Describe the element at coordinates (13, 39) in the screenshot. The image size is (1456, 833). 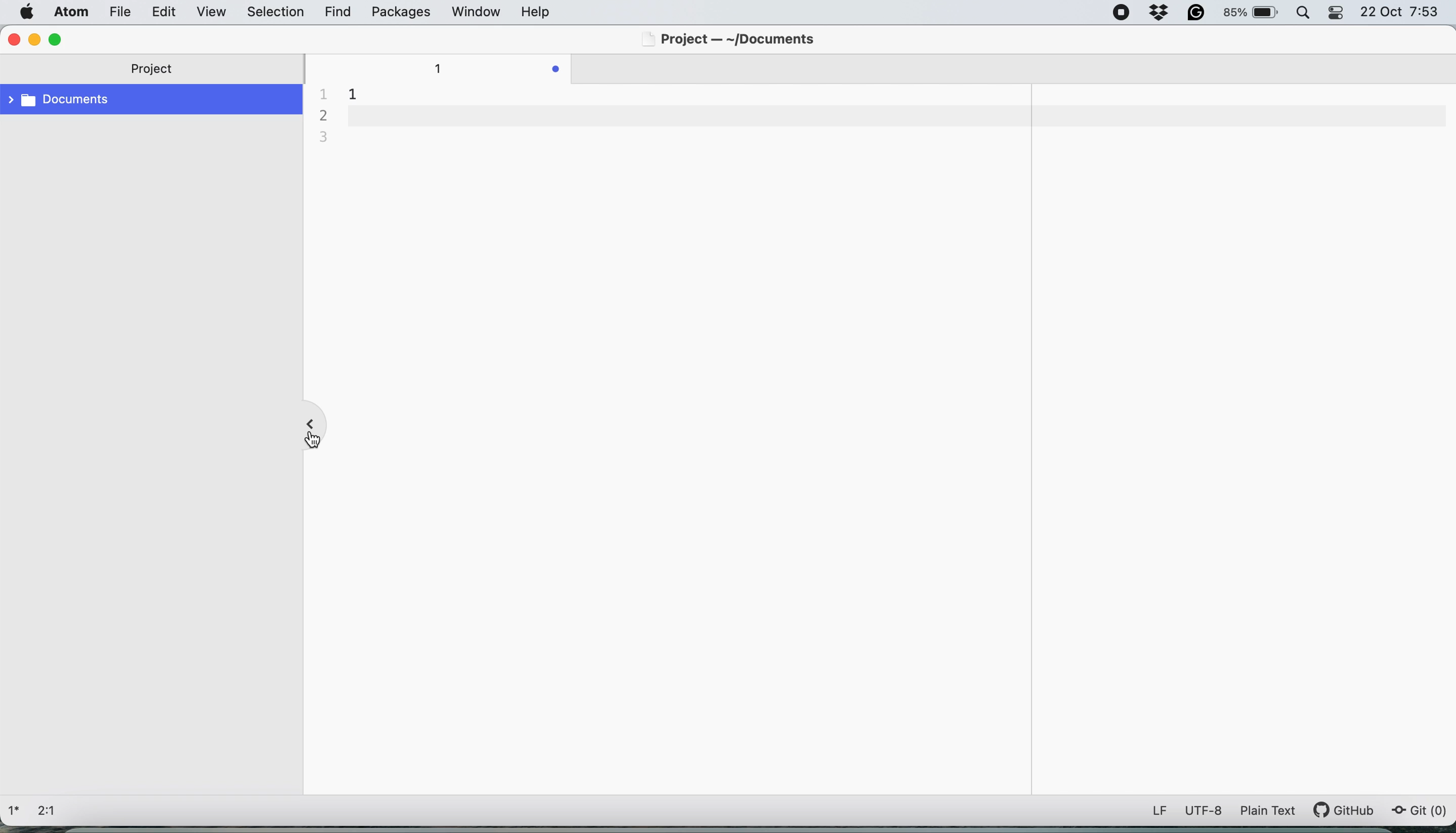
I see `close` at that location.